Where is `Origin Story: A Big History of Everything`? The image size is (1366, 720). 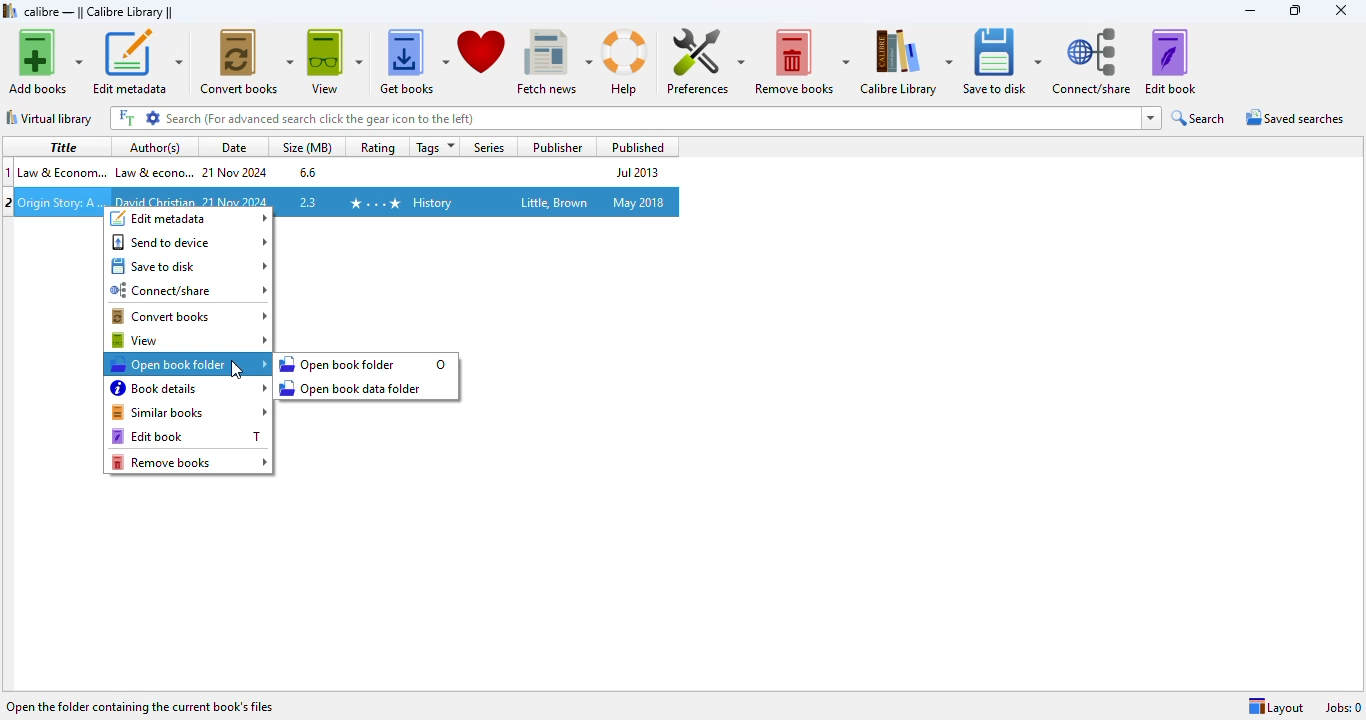 Origin Story: A Big History of Everything is located at coordinates (60, 204).